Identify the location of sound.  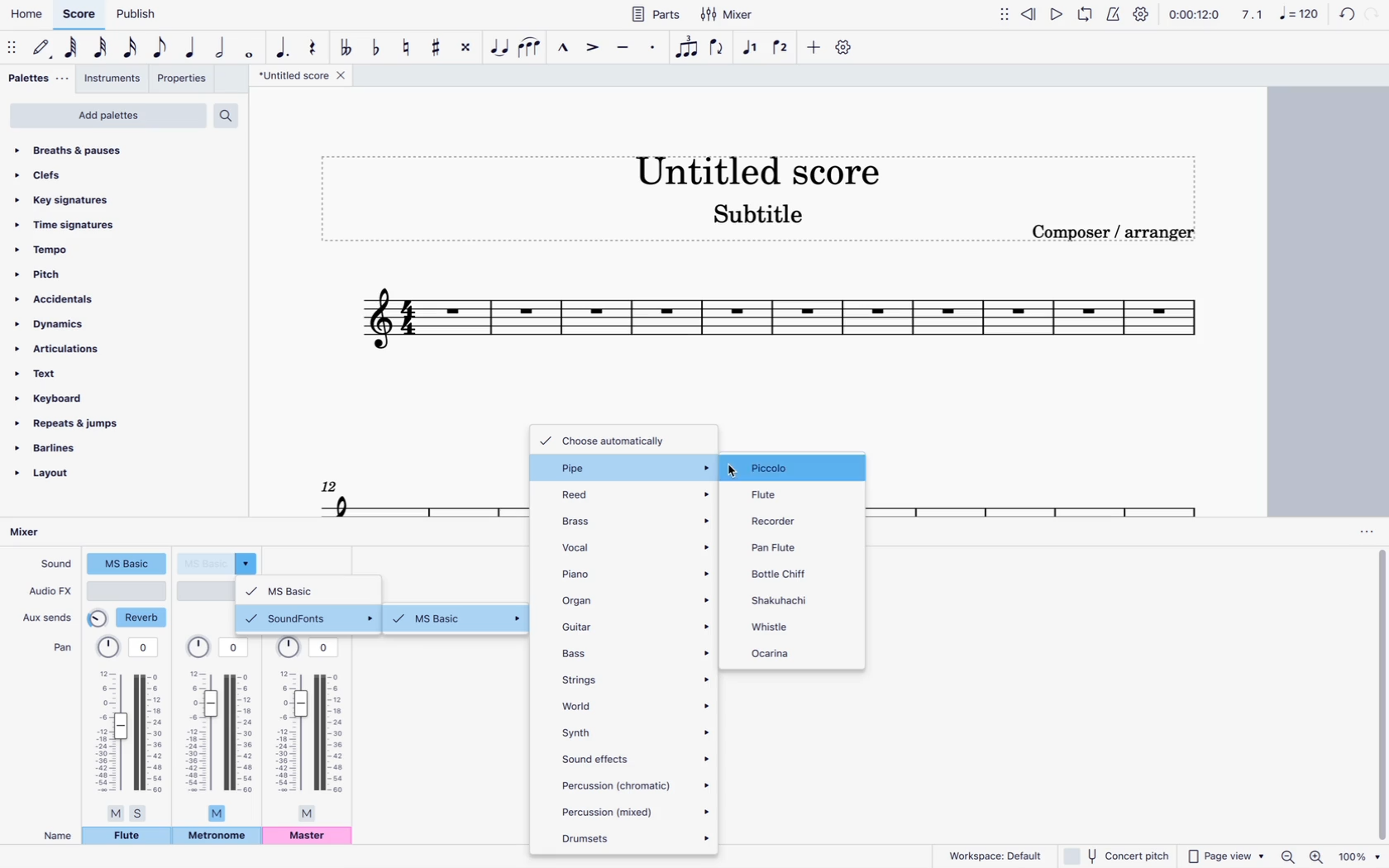
(55, 565).